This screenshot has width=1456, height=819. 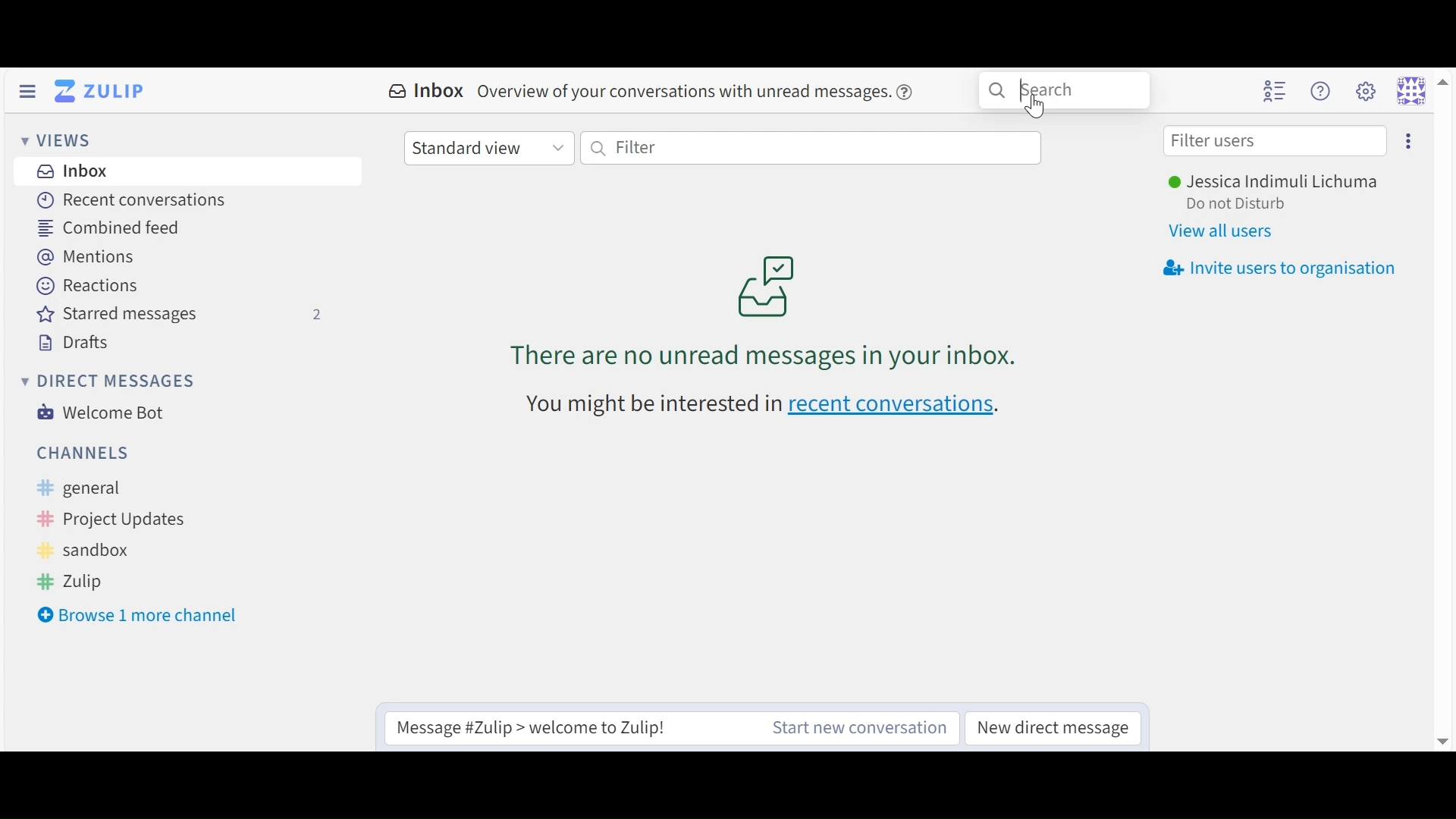 What do you see at coordinates (1039, 108) in the screenshot?
I see `Cursor` at bounding box center [1039, 108].